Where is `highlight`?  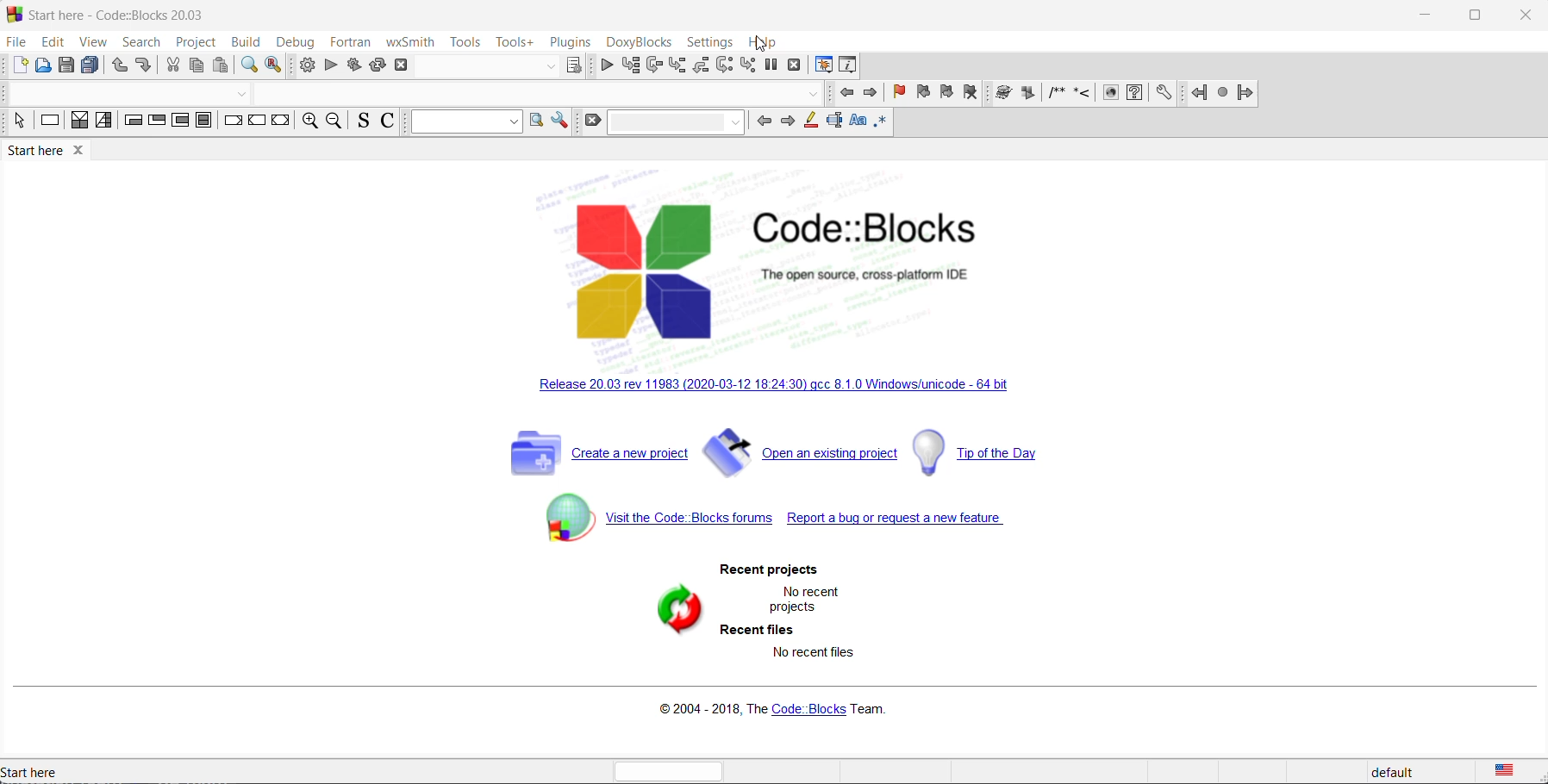
highlight is located at coordinates (810, 121).